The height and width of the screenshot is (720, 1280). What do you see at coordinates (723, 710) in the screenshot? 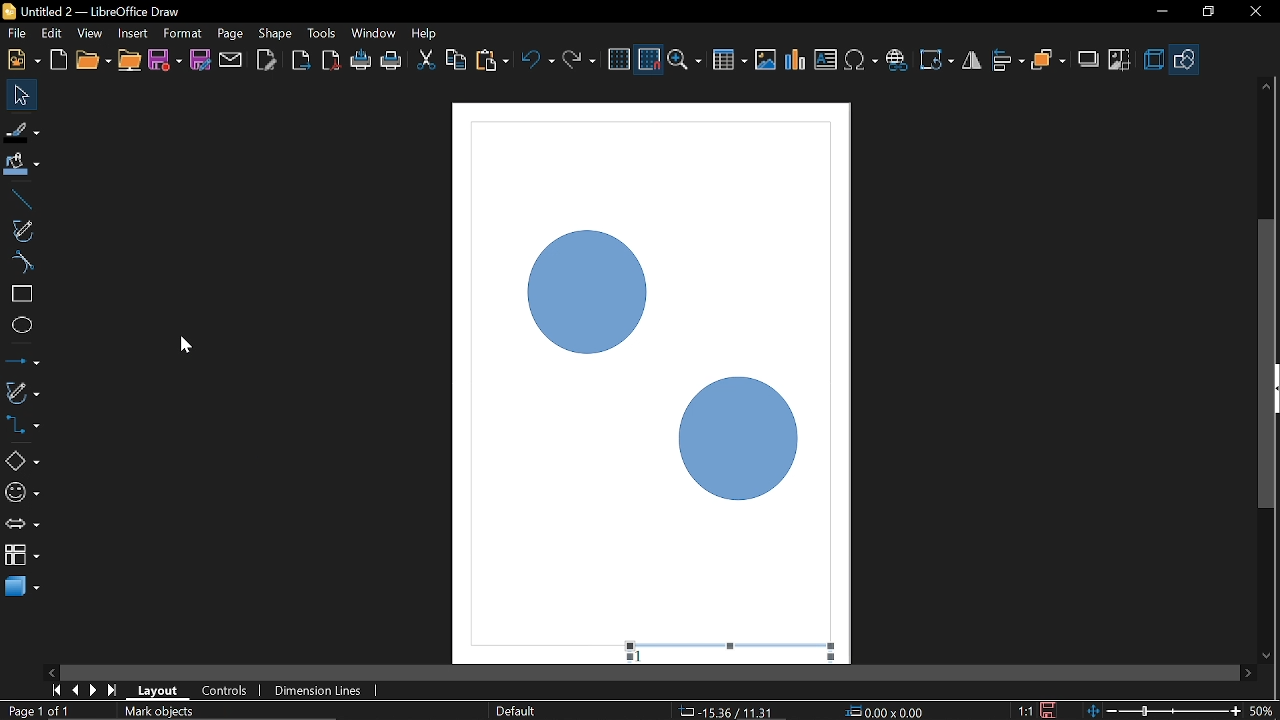
I see `Location` at bounding box center [723, 710].